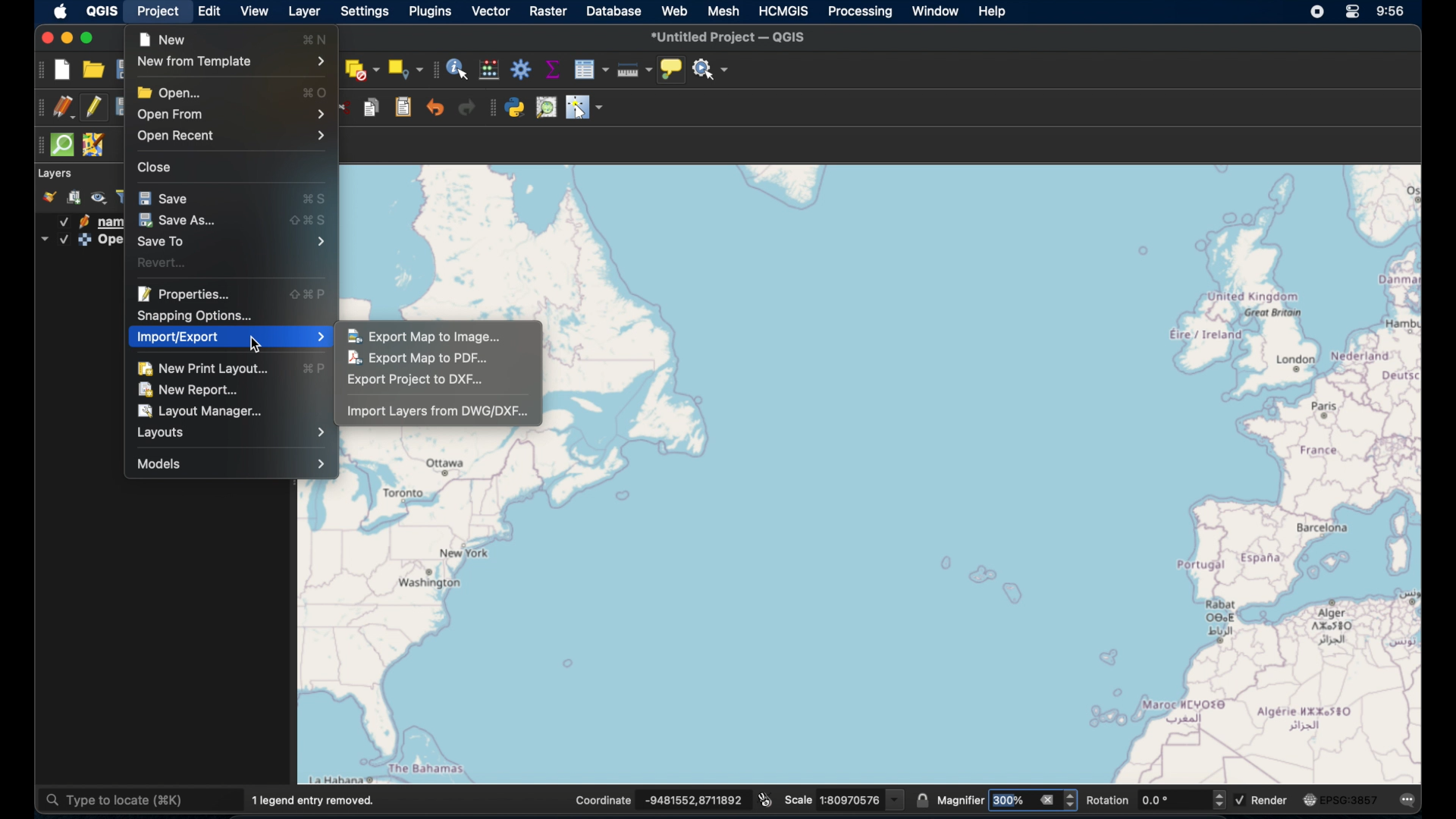  I want to click on switches cursor to configurable pointer, so click(586, 109).